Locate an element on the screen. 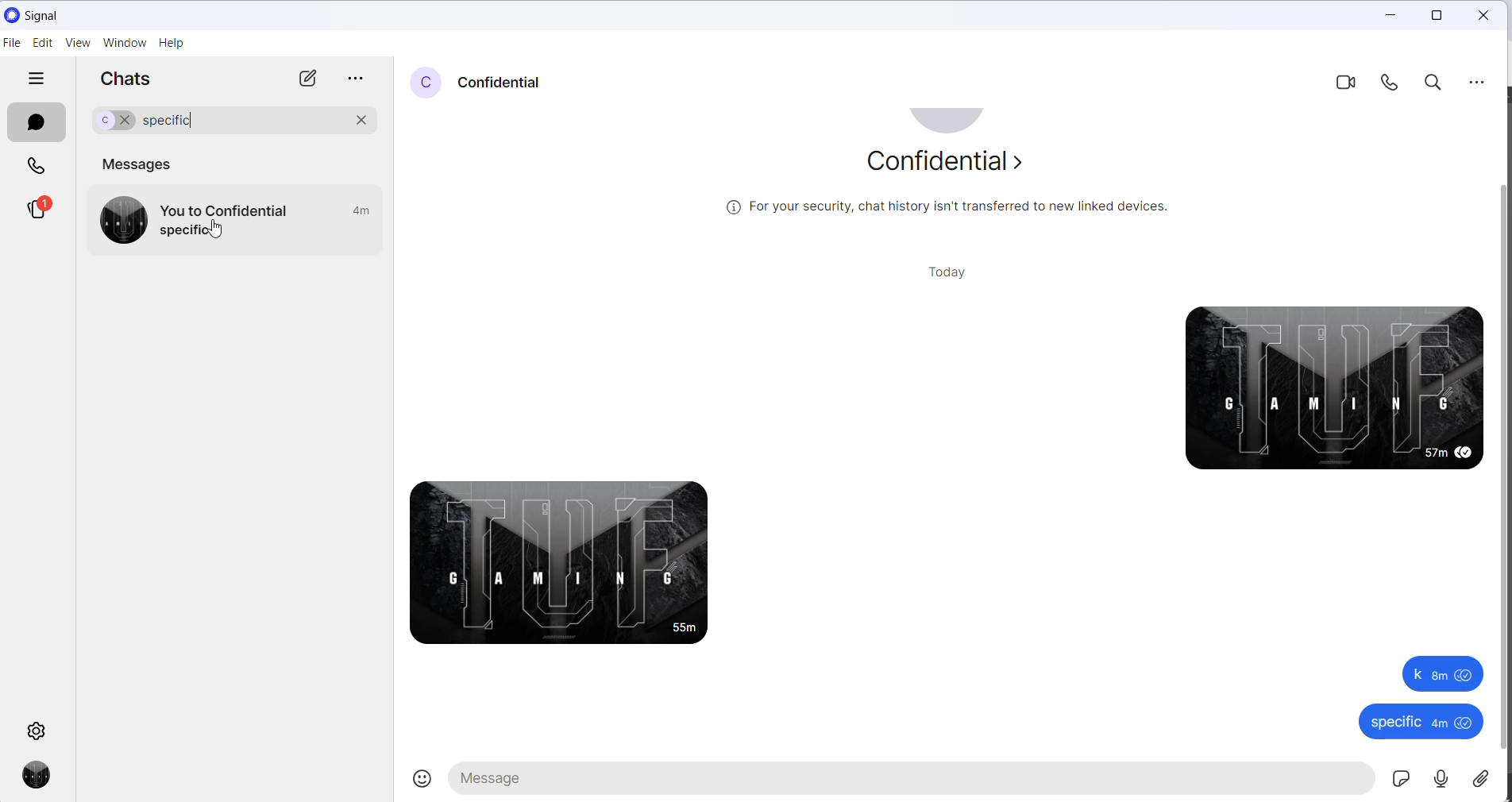  help is located at coordinates (172, 44).